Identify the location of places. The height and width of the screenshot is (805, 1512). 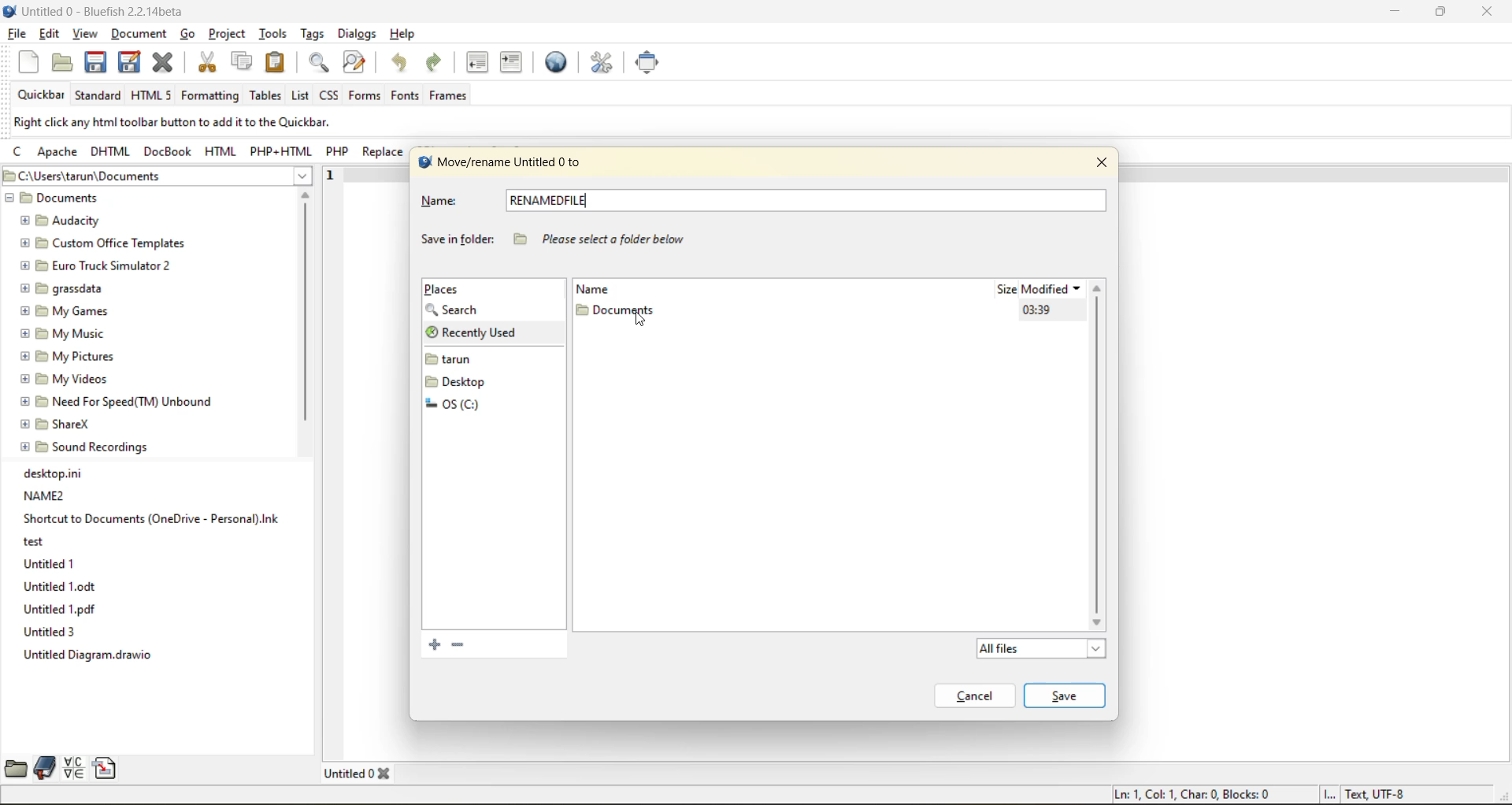
(451, 289).